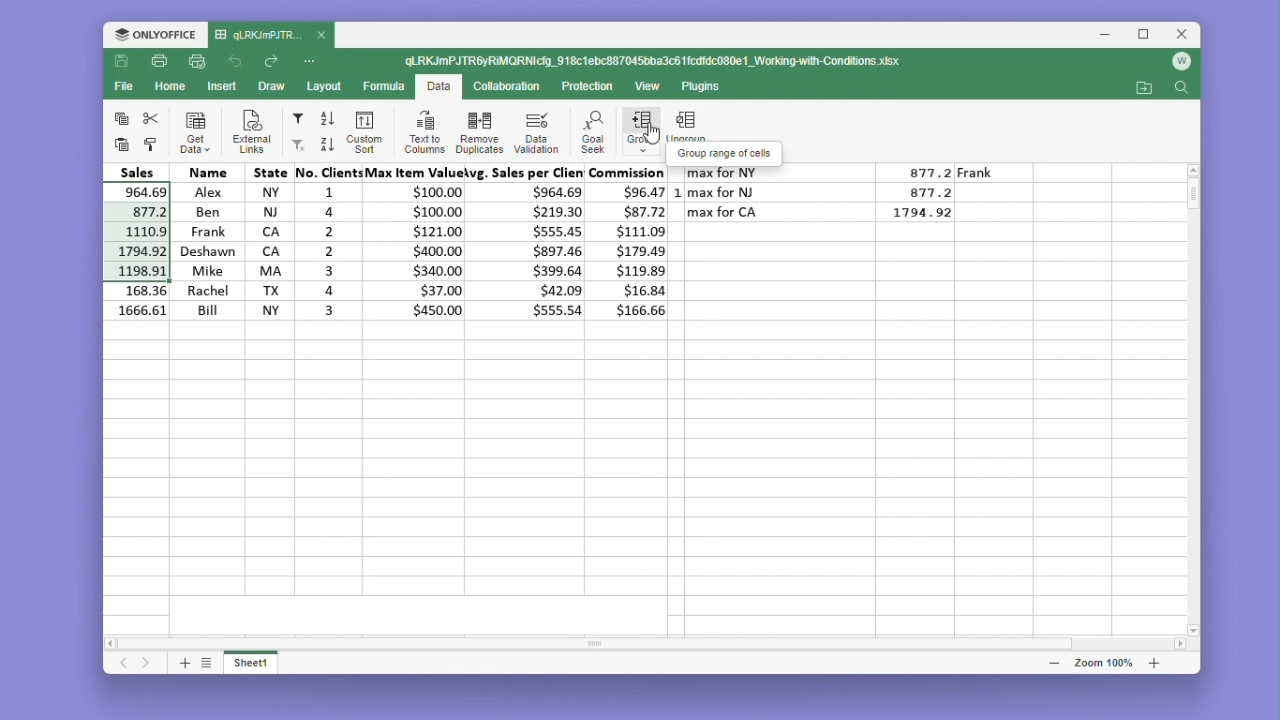  I want to click on group rows, so click(641, 135).